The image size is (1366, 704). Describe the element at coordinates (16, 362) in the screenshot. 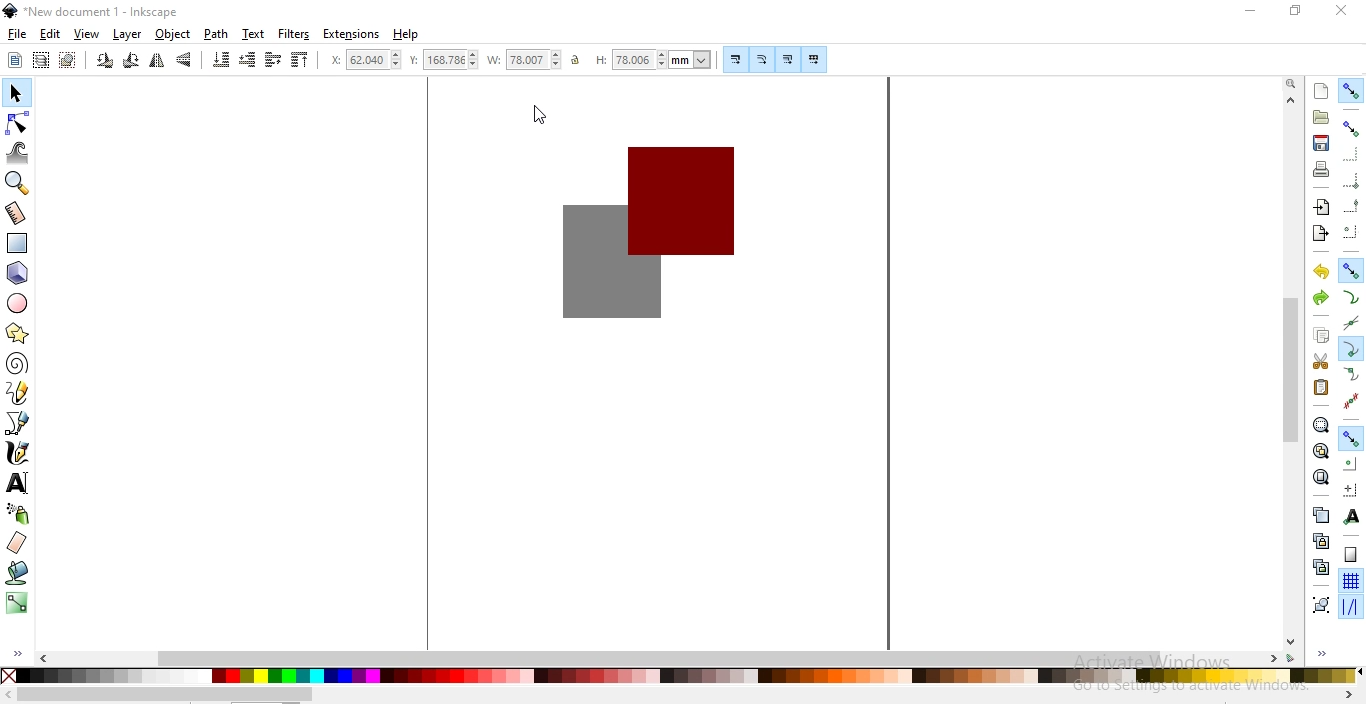

I see `create spiral` at that location.